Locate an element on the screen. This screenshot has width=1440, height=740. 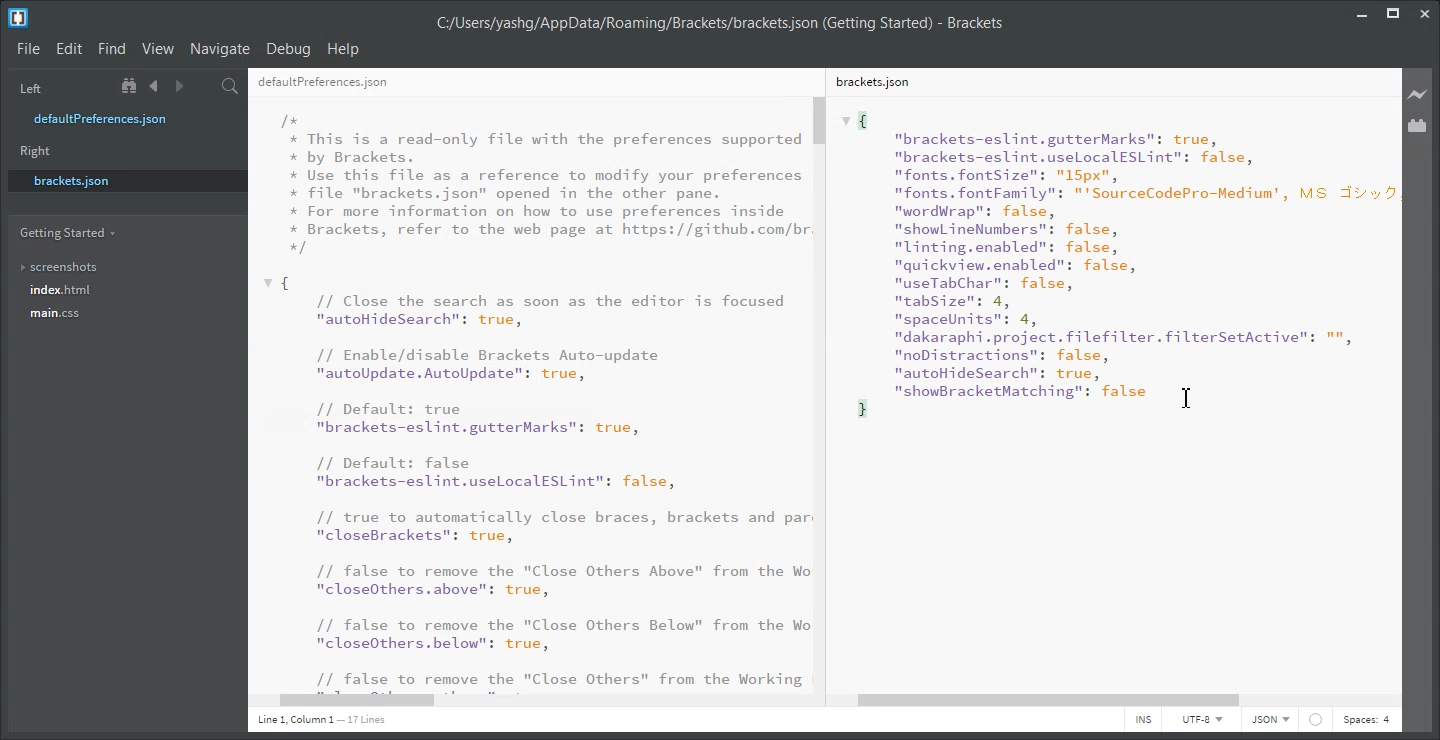
defaultPreferences.json is located at coordinates (113, 119).